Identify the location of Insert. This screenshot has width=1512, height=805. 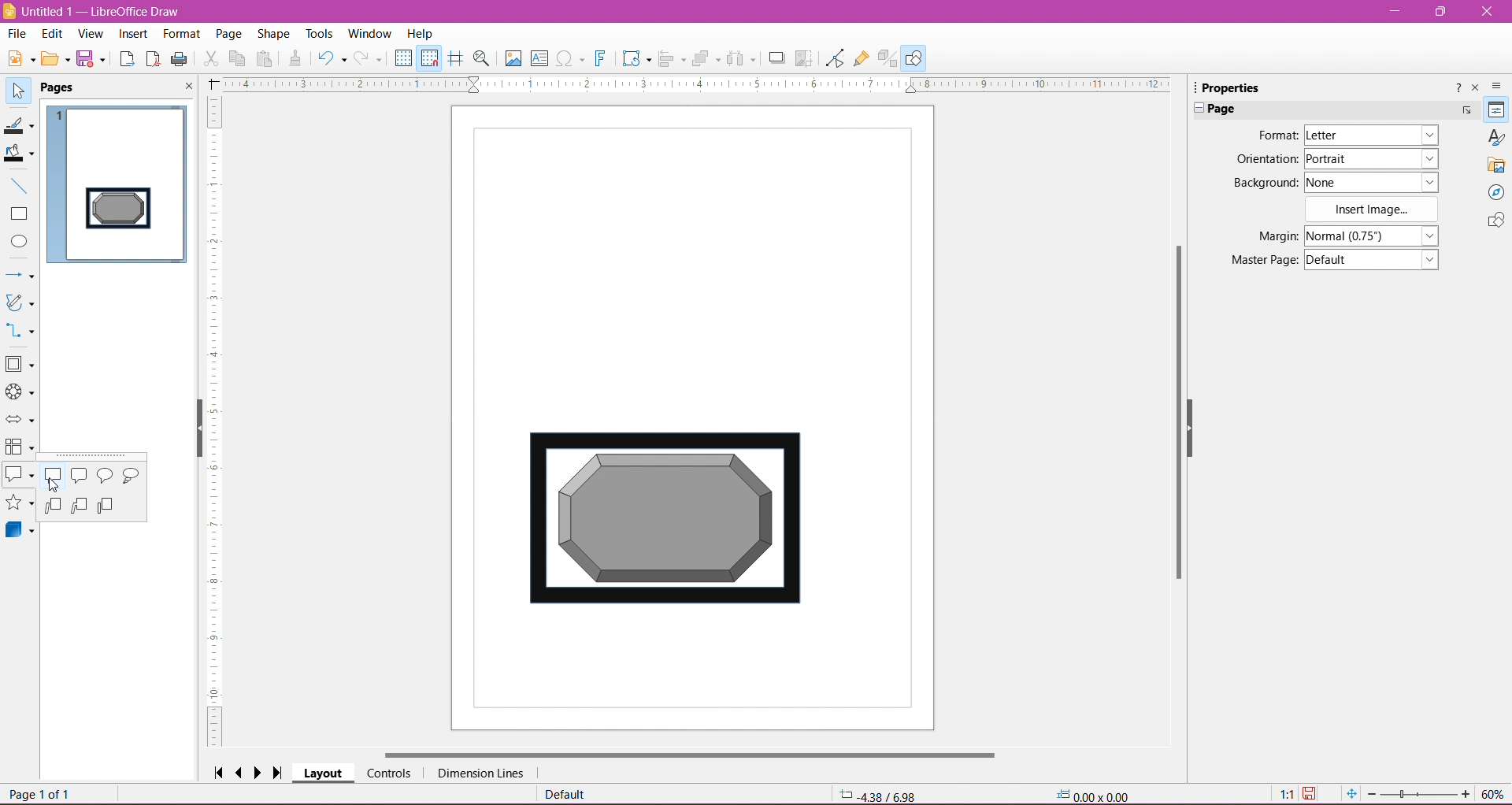
(132, 34).